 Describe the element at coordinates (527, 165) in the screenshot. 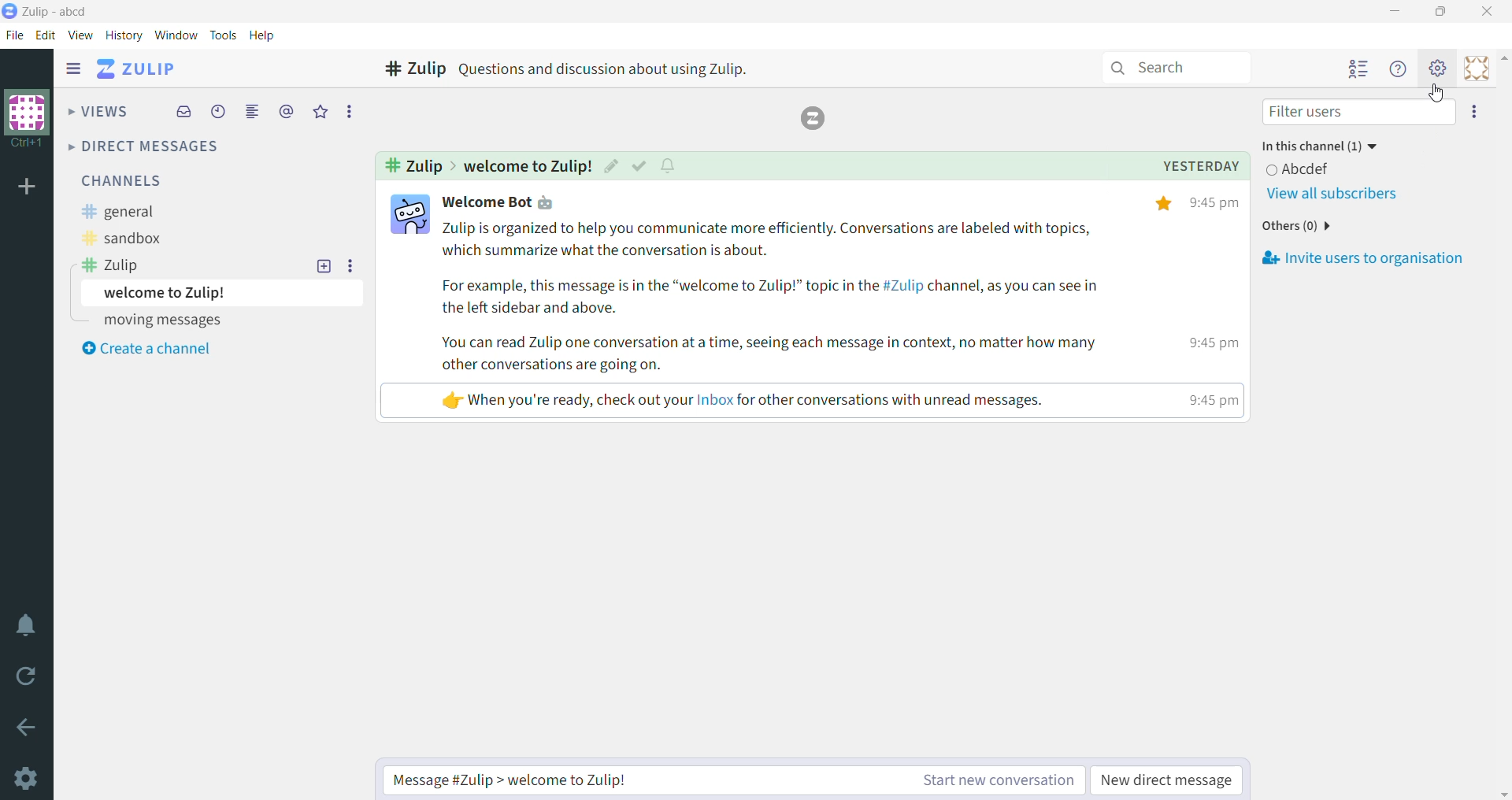

I see `Message Topic` at that location.